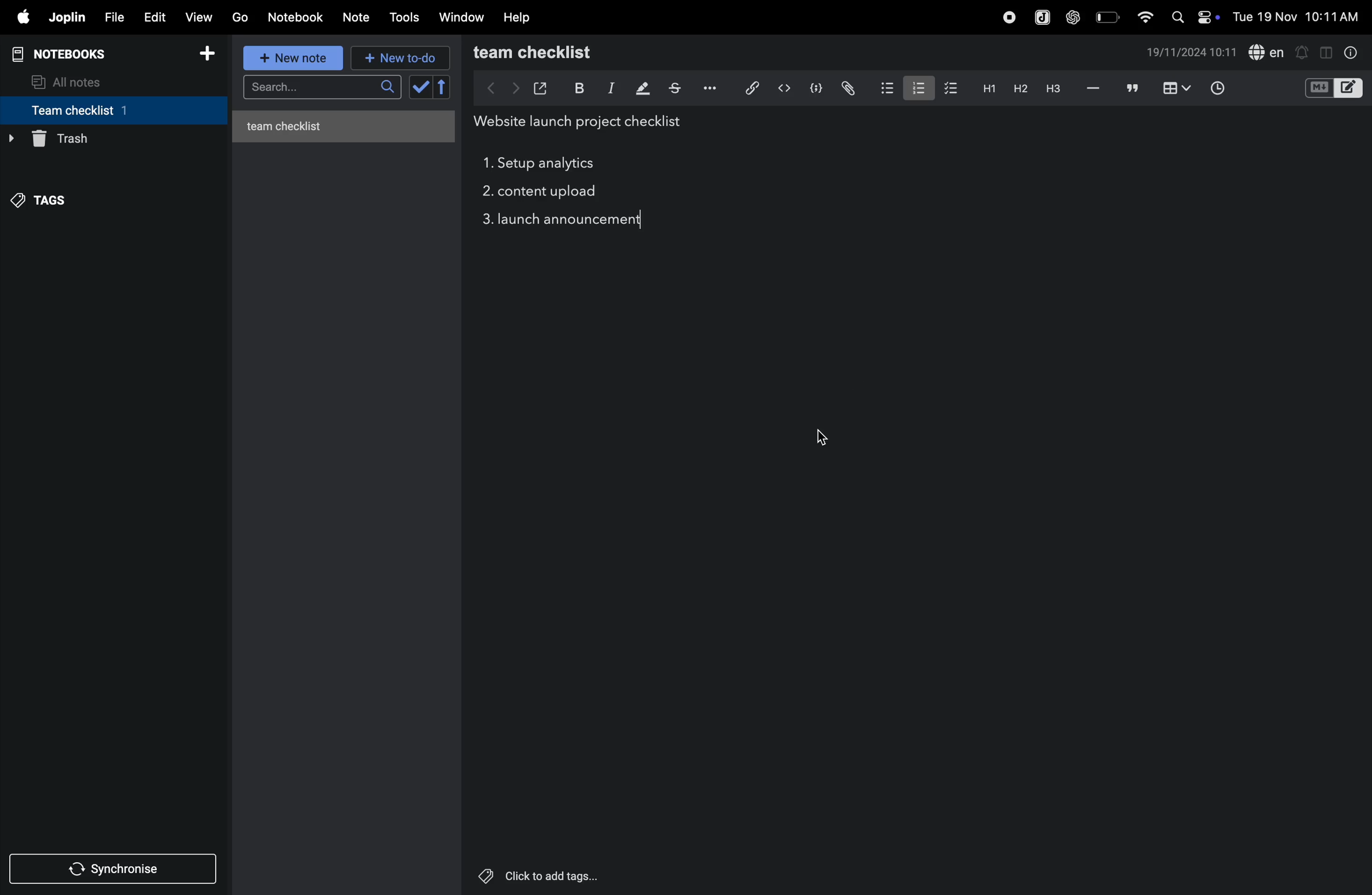 This screenshot has height=895, width=1372. I want to click on spell check, so click(1268, 52).